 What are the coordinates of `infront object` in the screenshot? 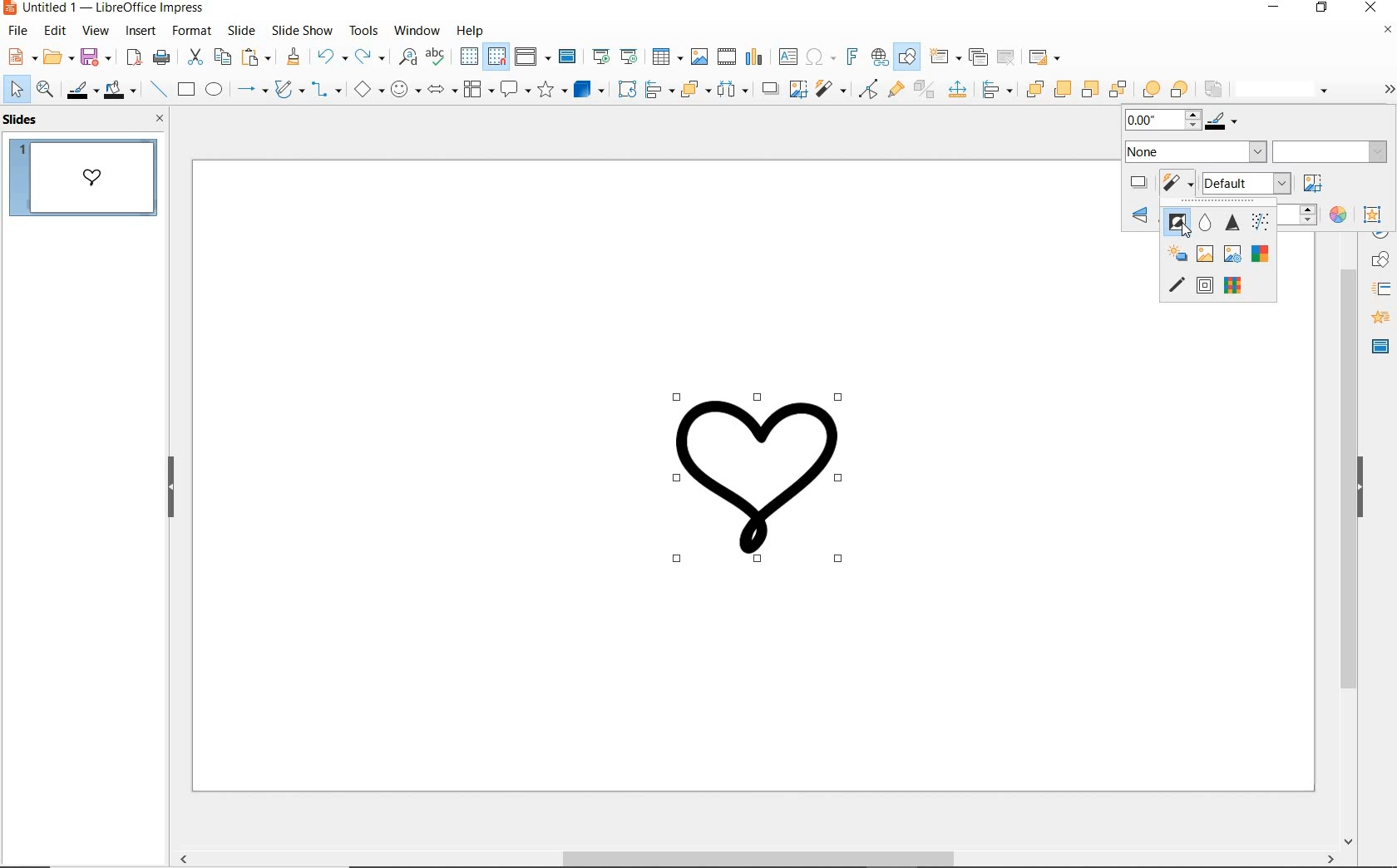 It's located at (1151, 91).